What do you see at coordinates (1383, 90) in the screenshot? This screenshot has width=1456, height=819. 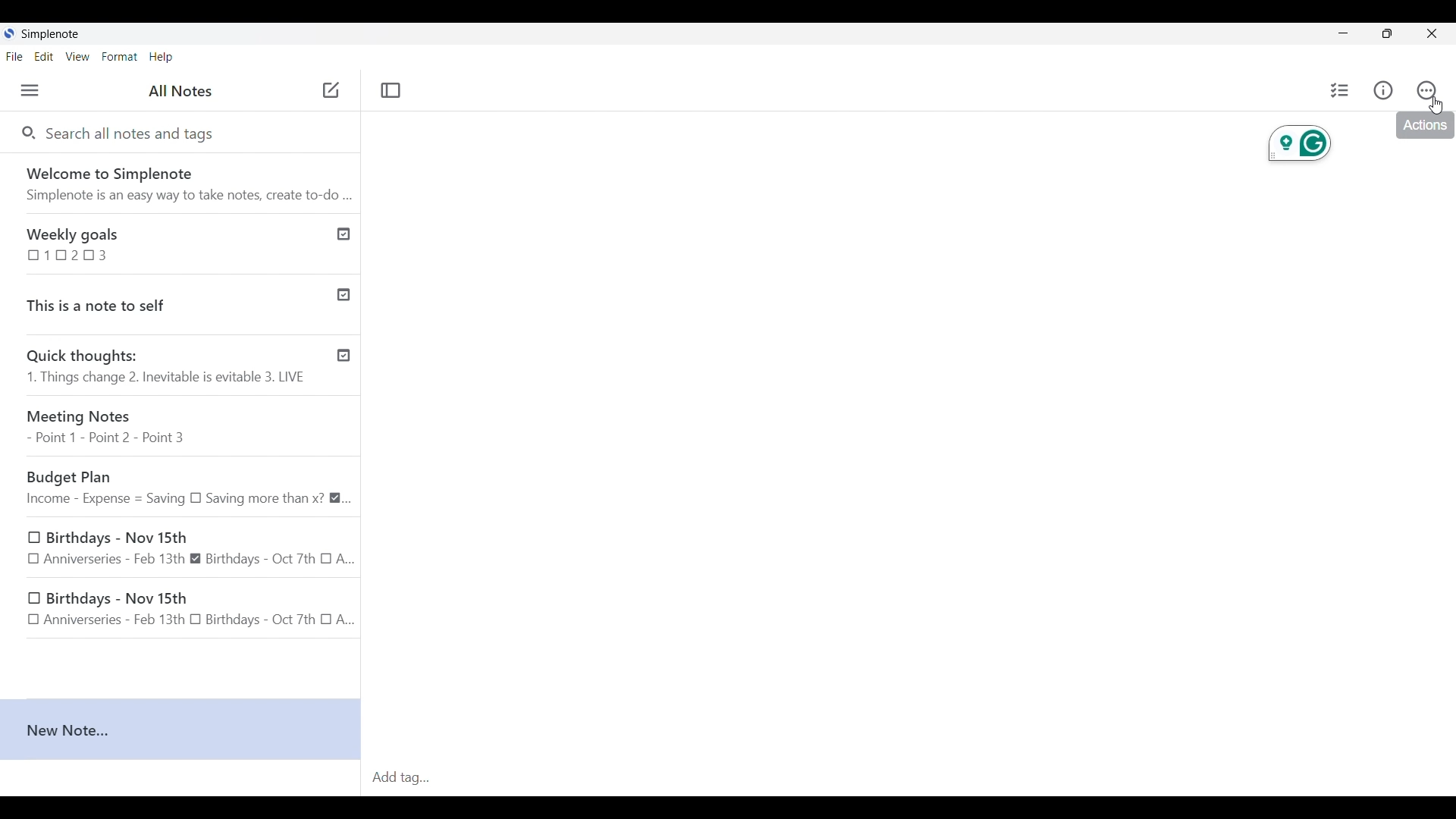 I see `Info` at bounding box center [1383, 90].